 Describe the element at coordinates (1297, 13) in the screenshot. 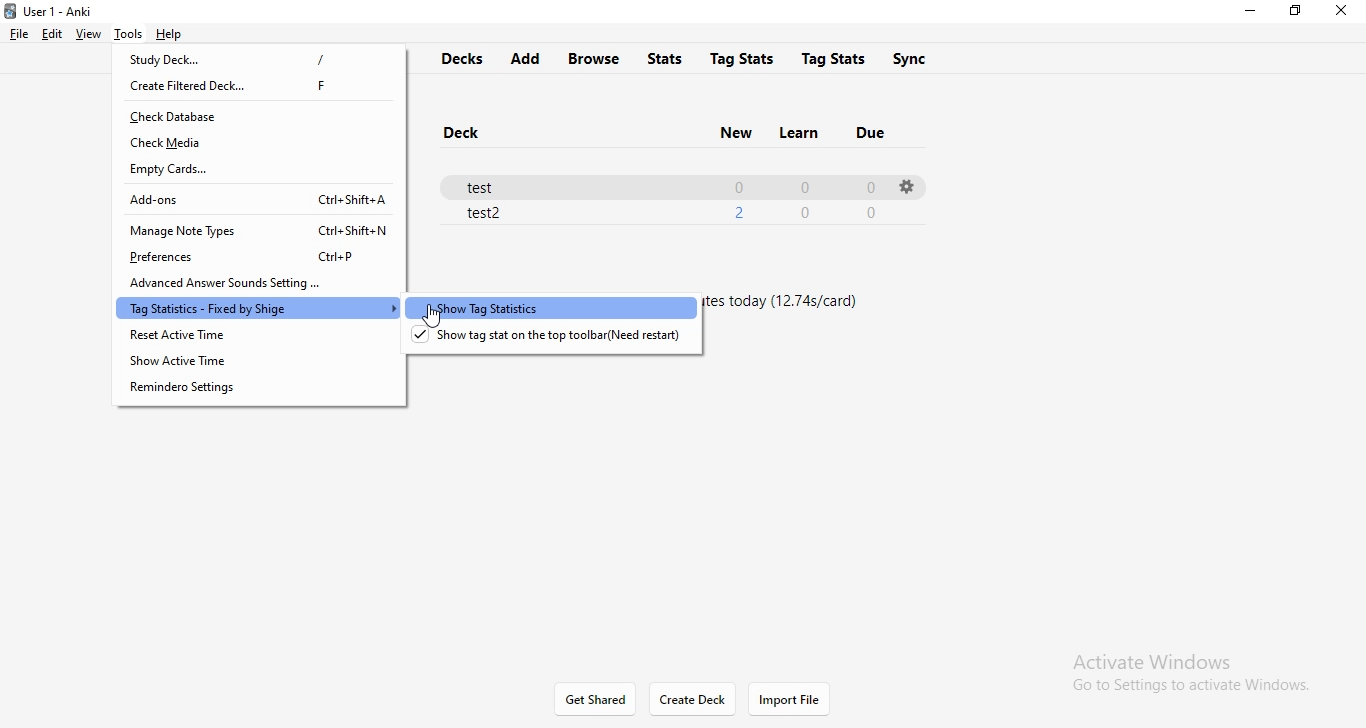

I see `restore` at that location.